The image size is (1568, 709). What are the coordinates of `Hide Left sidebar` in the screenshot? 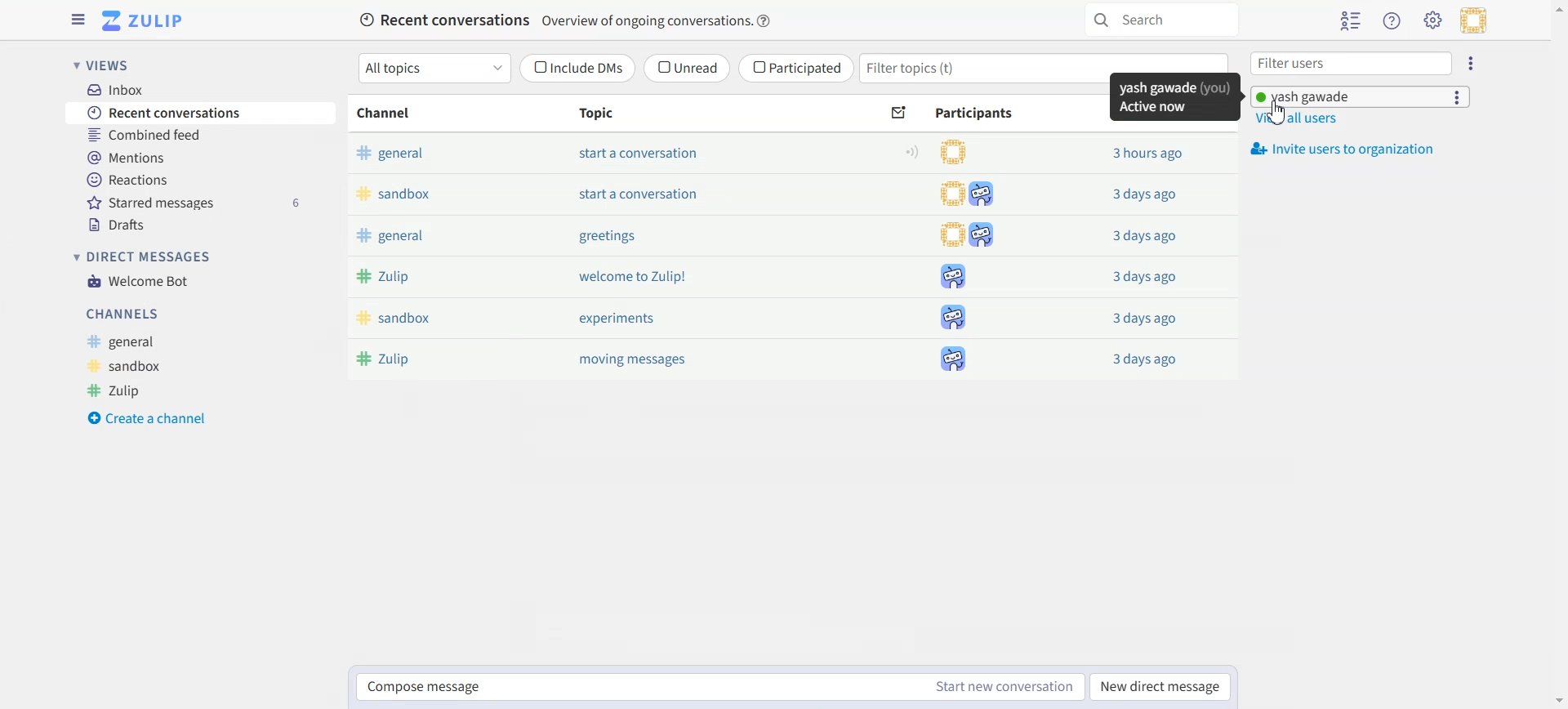 It's located at (78, 20).